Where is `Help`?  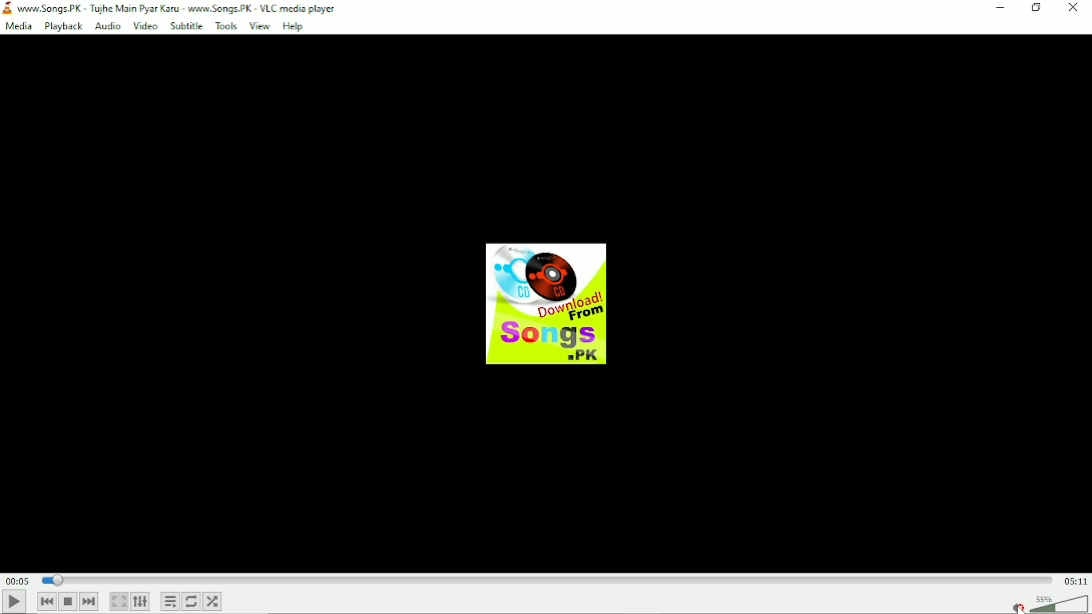
Help is located at coordinates (295, 27).